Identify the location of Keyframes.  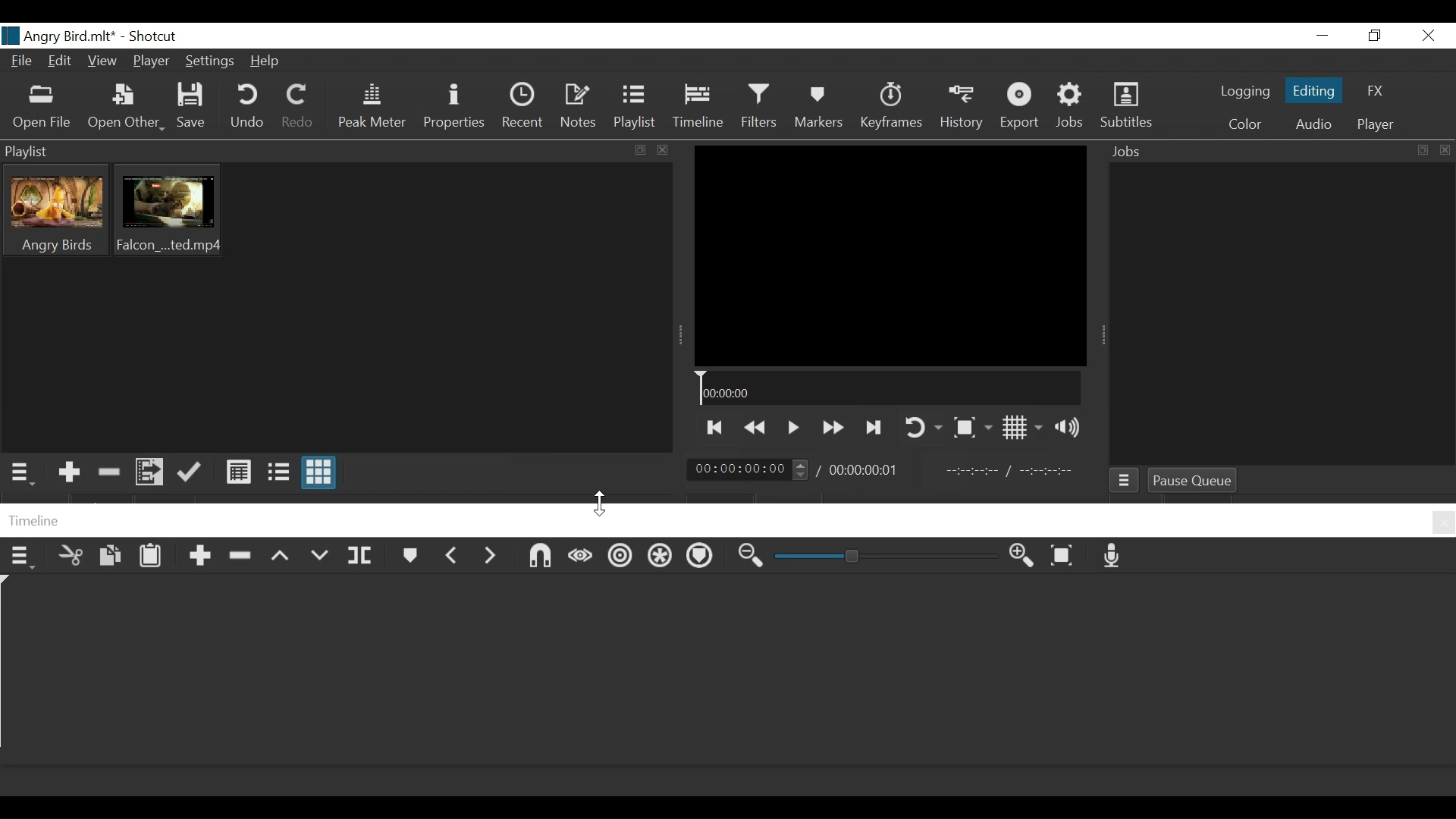
(890, 106).